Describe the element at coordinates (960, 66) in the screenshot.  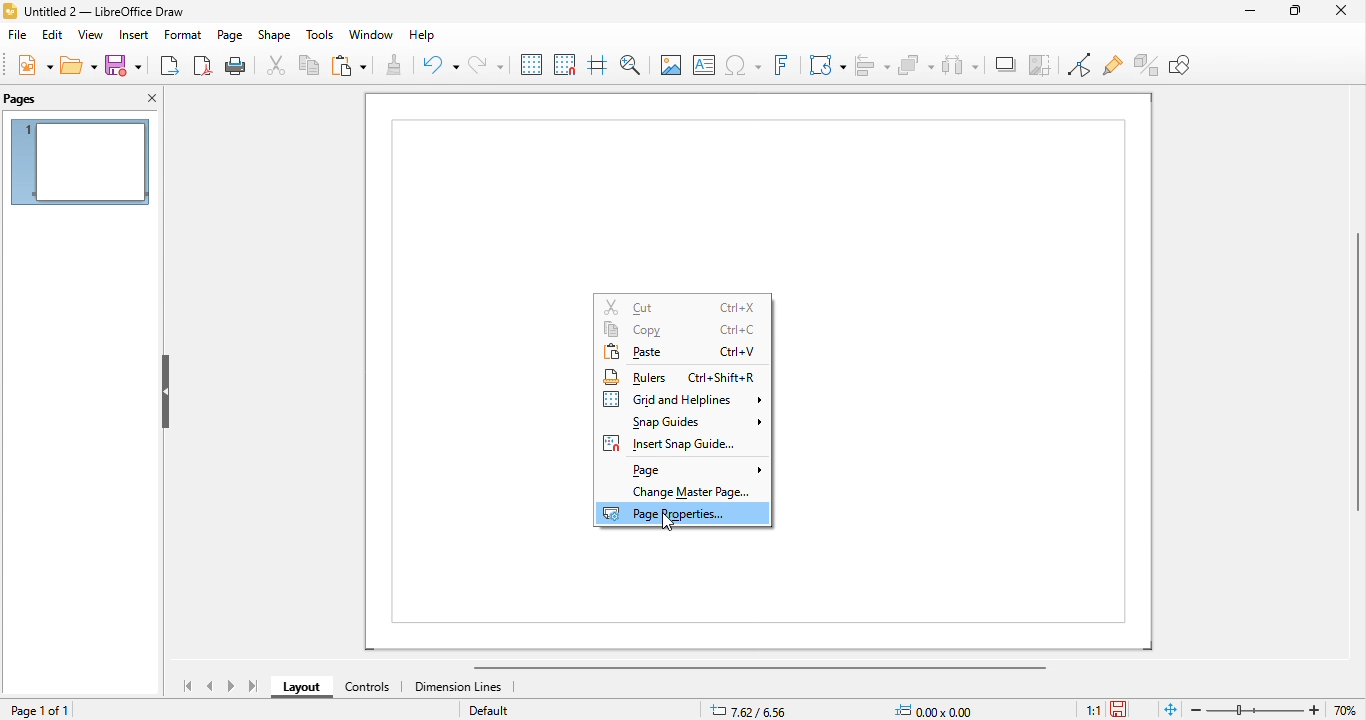
I see `select atleast 3 objects to attributes` at that location.